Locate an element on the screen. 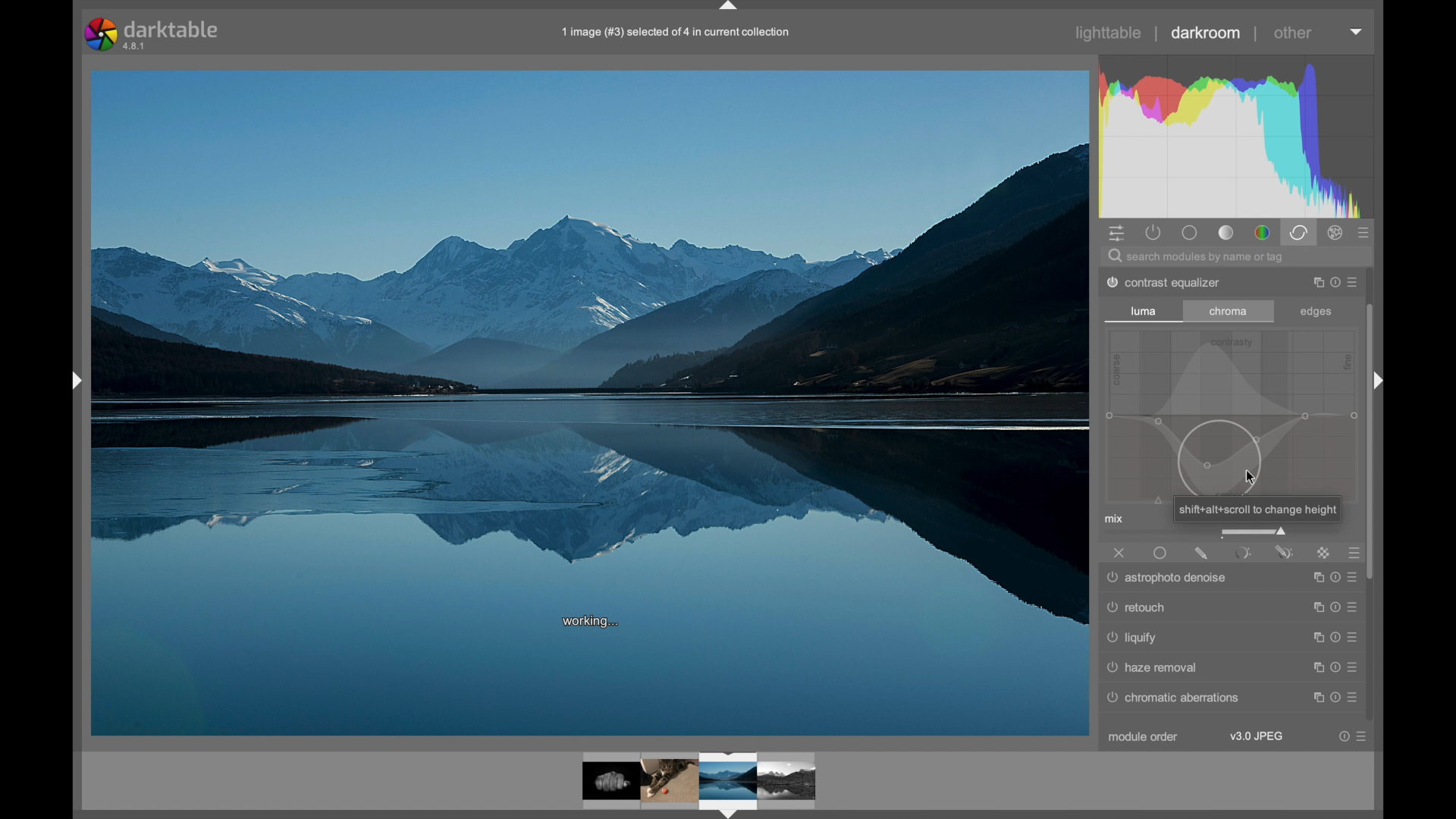 The image size is (1456, 819). luma is located at coordinates (1144, 310).